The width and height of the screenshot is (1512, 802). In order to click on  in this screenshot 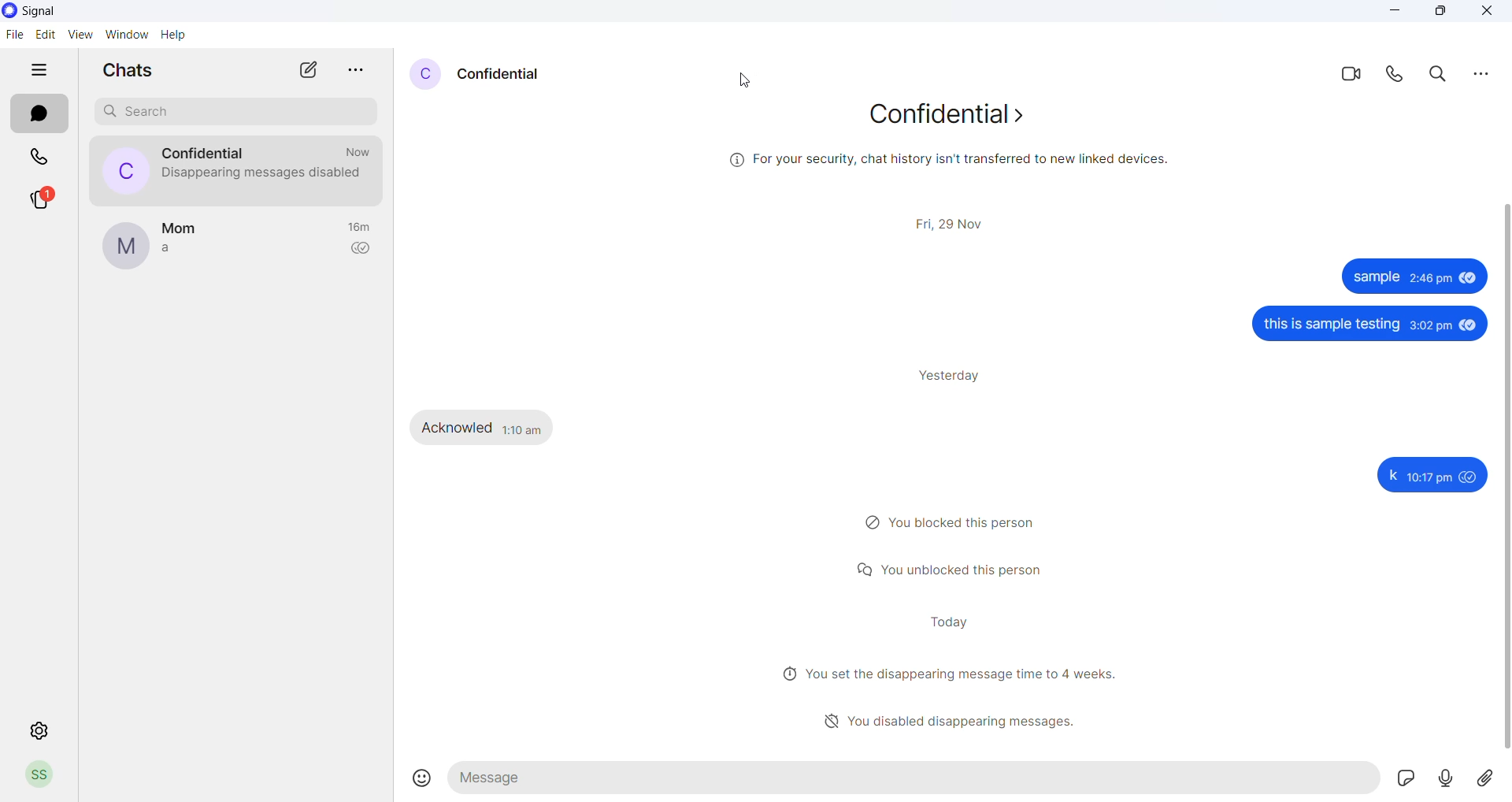, I will do `click(1429, 475)`.